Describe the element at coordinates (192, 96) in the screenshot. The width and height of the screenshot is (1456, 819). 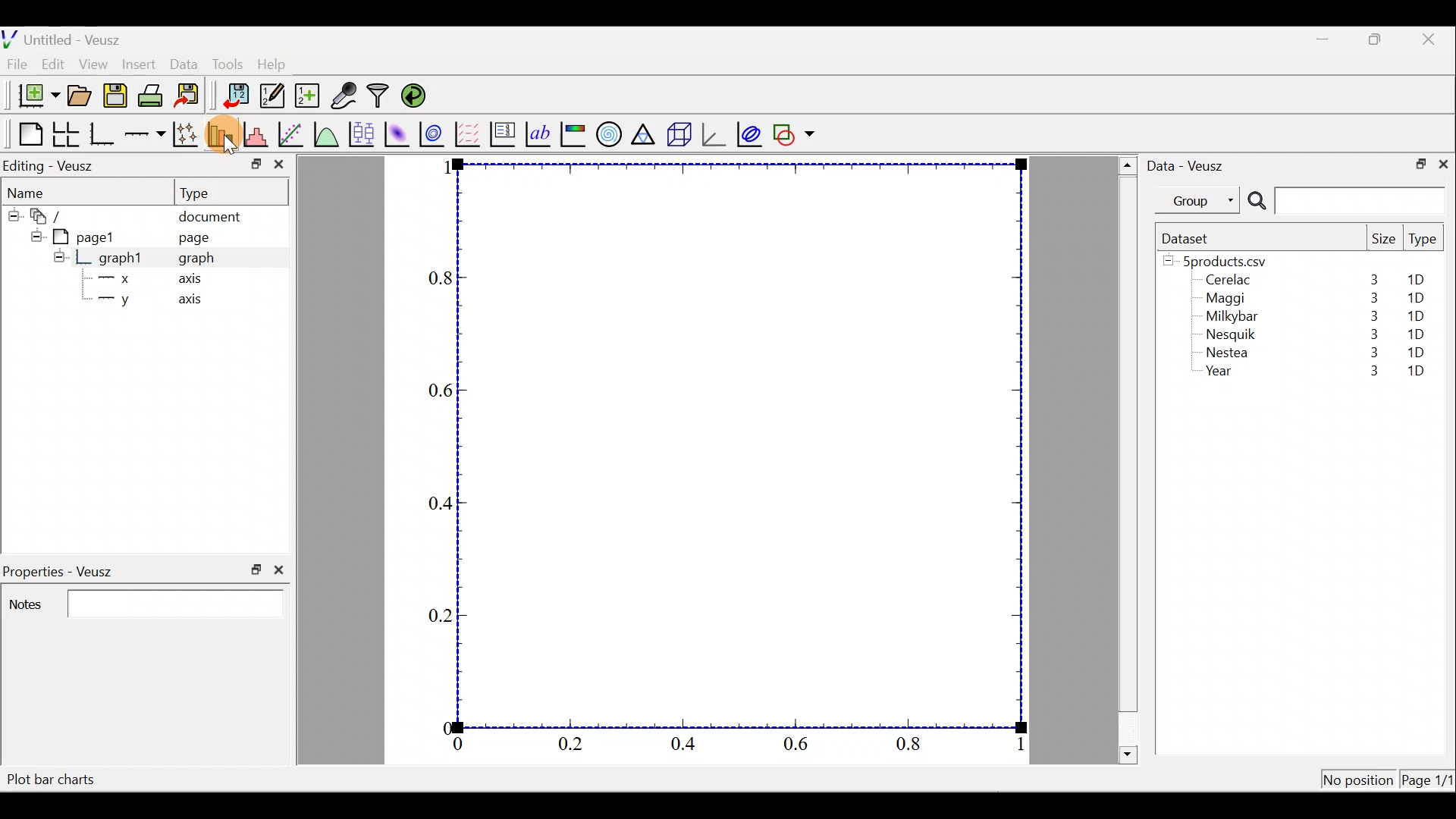
I see `Export to graphics format` at that location.